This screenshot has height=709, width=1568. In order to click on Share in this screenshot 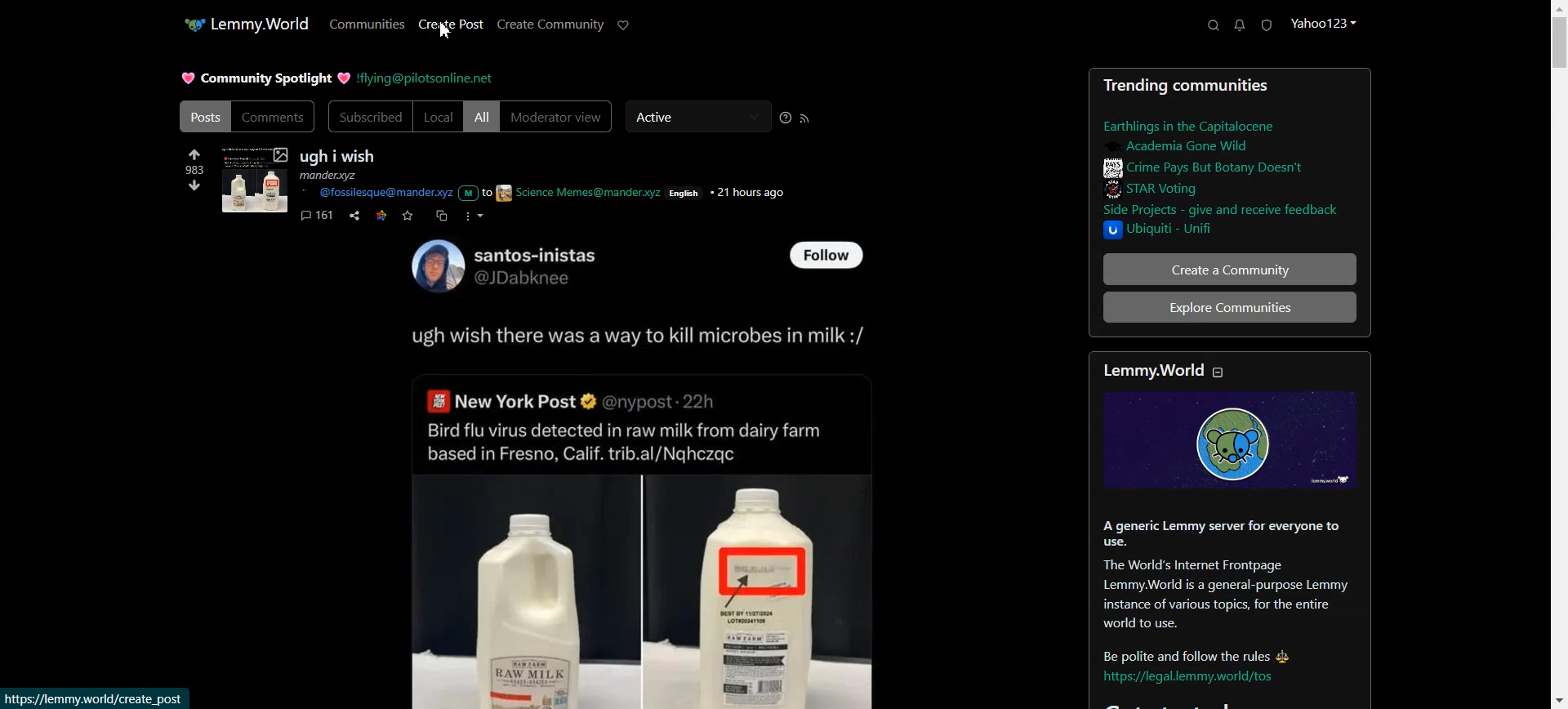, I will do `click(354, 215)`.